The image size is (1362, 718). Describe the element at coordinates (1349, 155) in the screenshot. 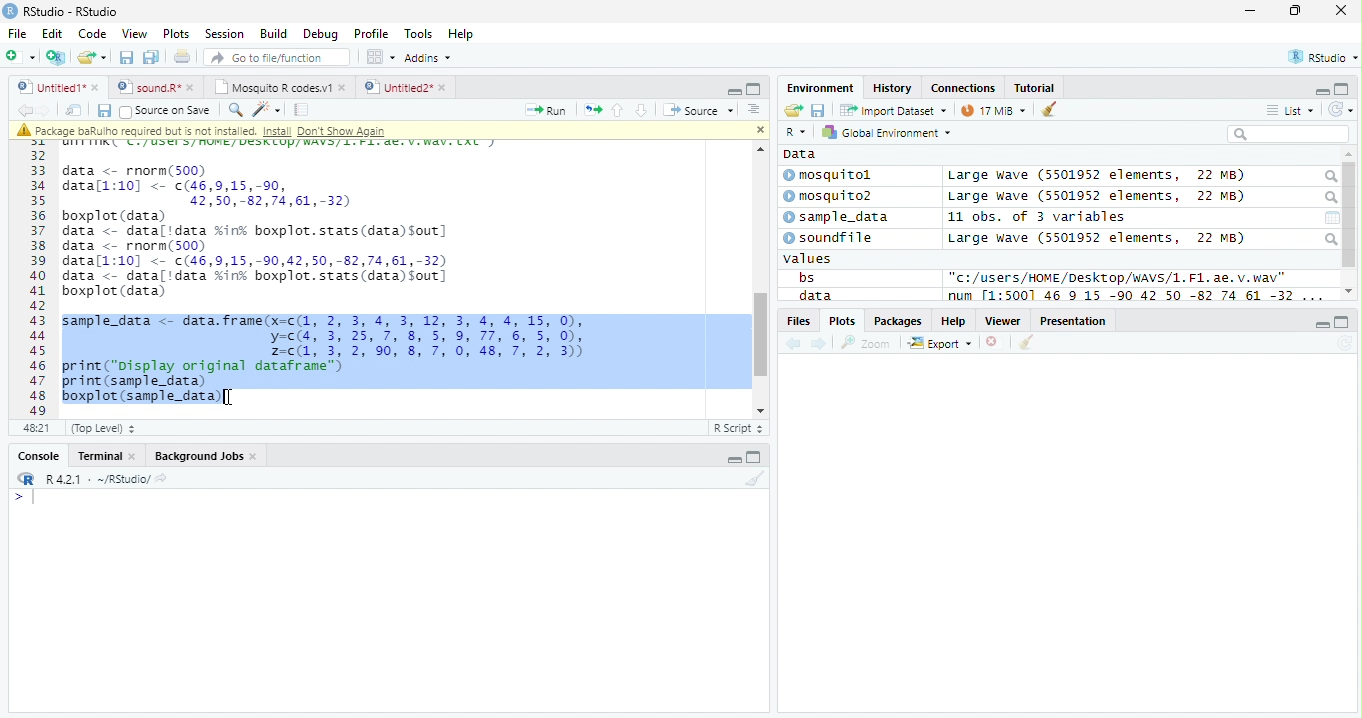

I see `scroll up` at that location.